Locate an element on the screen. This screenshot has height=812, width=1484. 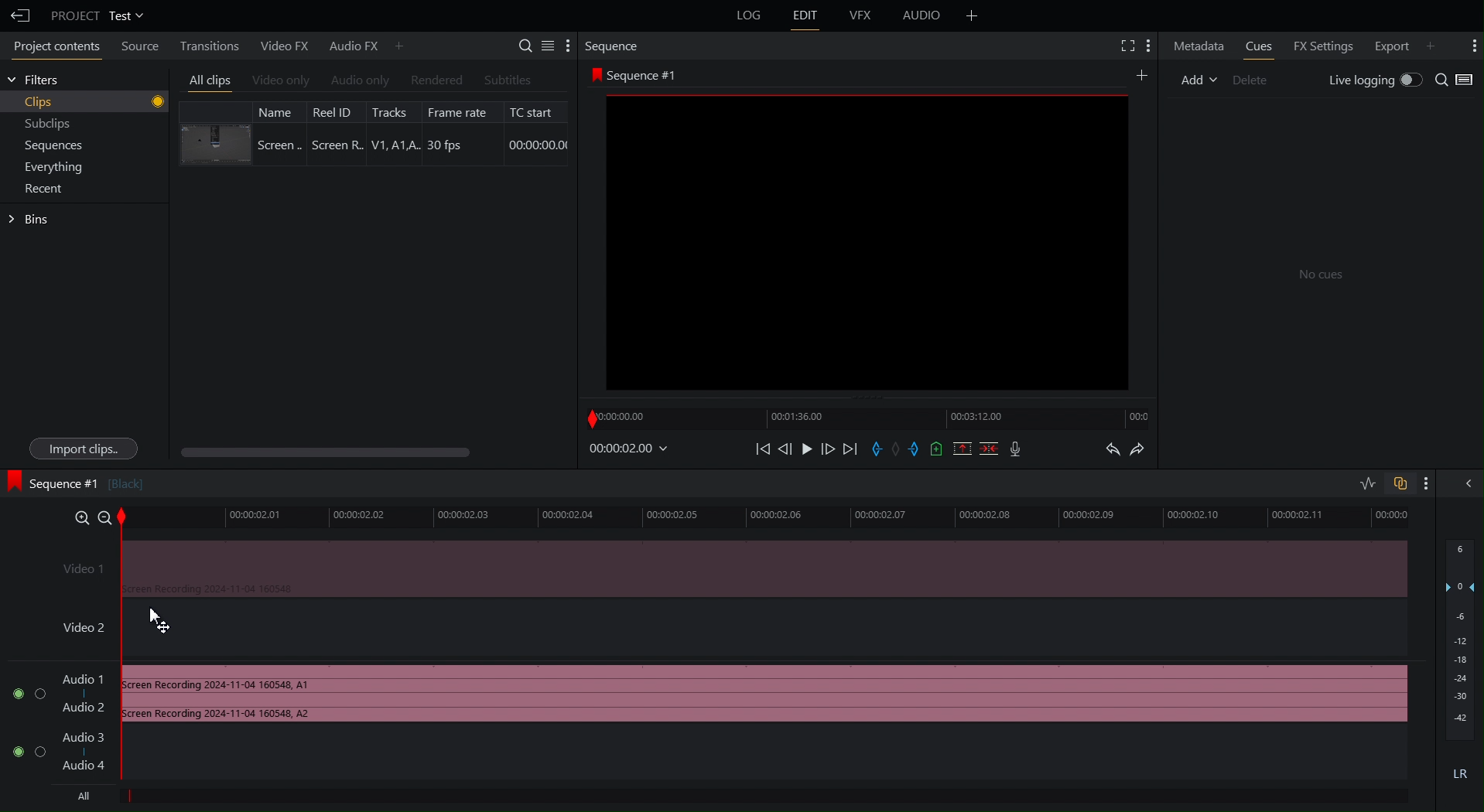
Subtitle is located at coordinates (508, 78).